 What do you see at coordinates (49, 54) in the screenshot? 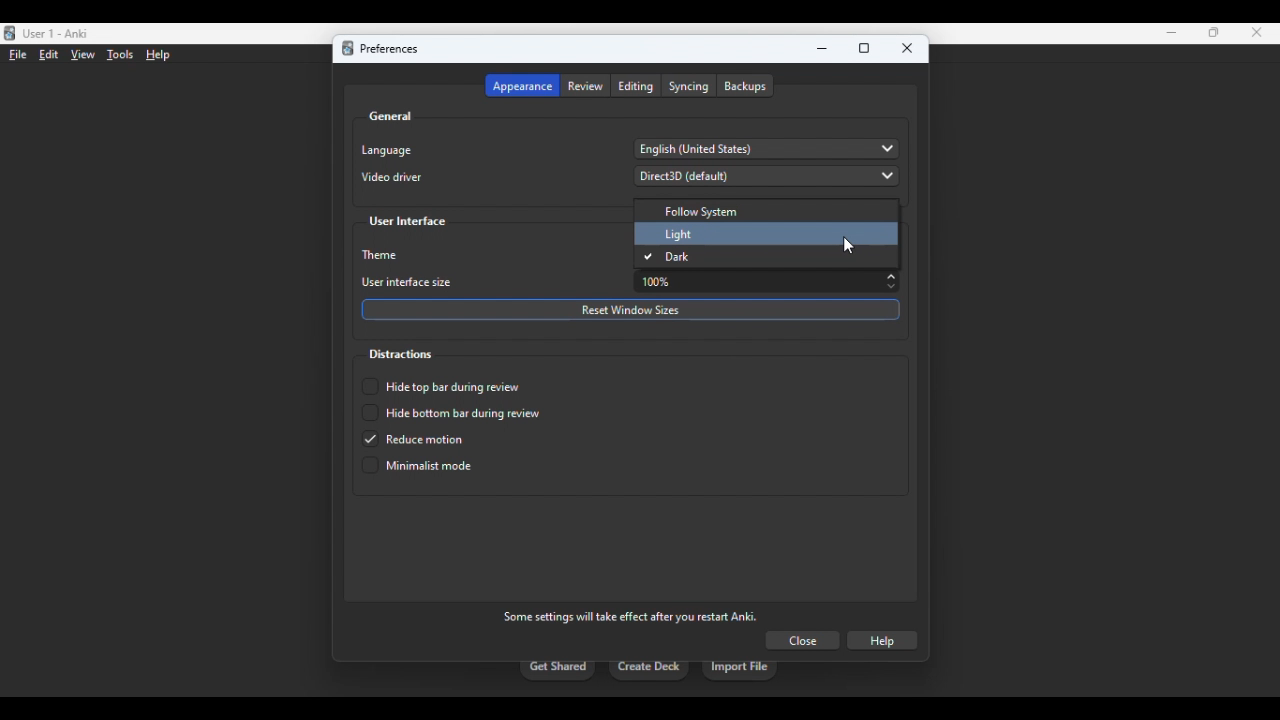
I see `edit` at bounding box center [49, 54].